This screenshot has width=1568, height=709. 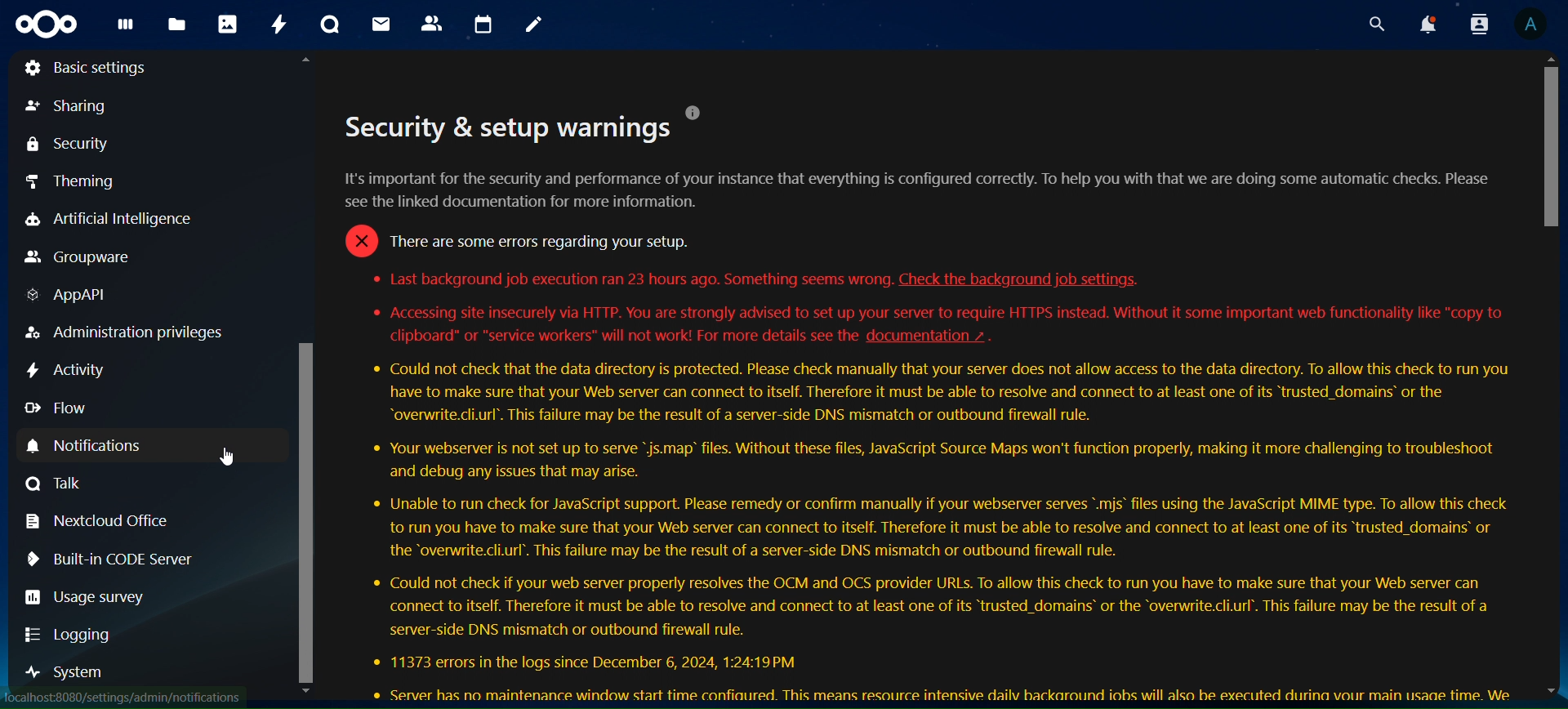 I want to click on notifications, so click(x=1425, y=24).